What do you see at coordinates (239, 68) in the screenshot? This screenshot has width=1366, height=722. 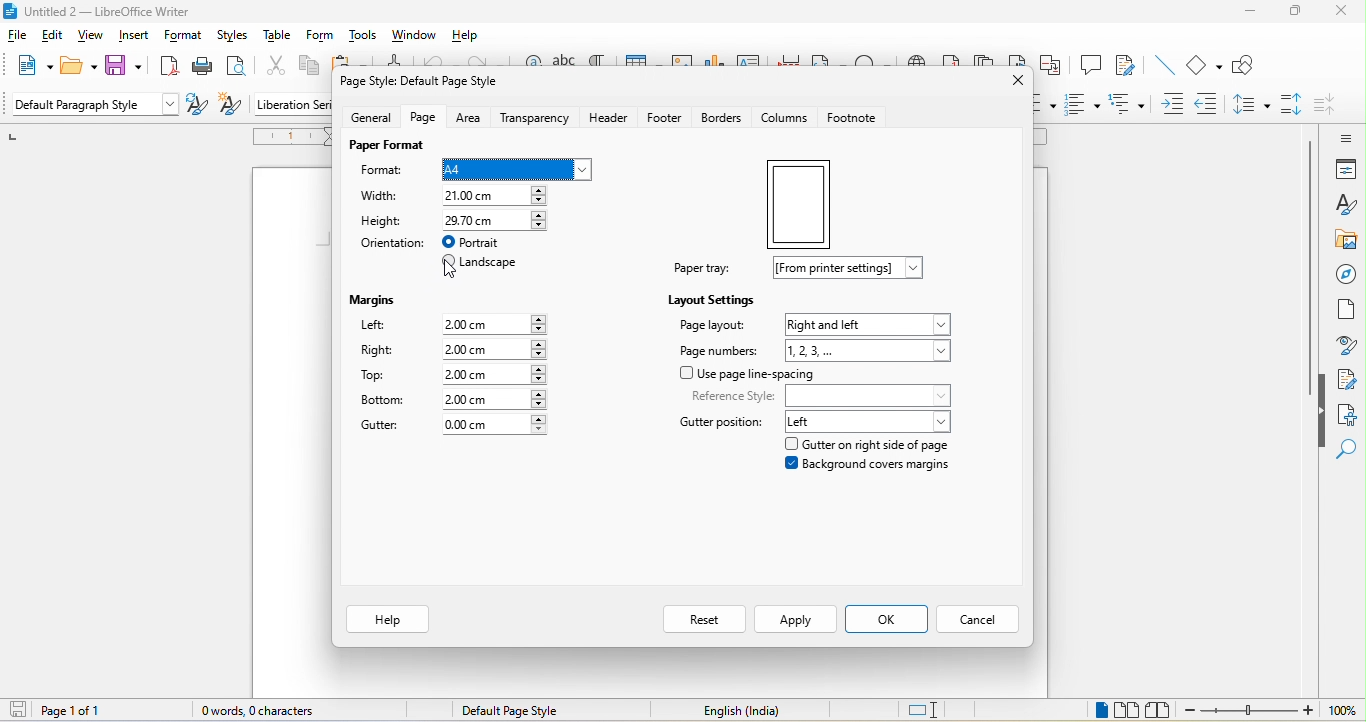 I see `print preview` at bounding box center [239, 68].